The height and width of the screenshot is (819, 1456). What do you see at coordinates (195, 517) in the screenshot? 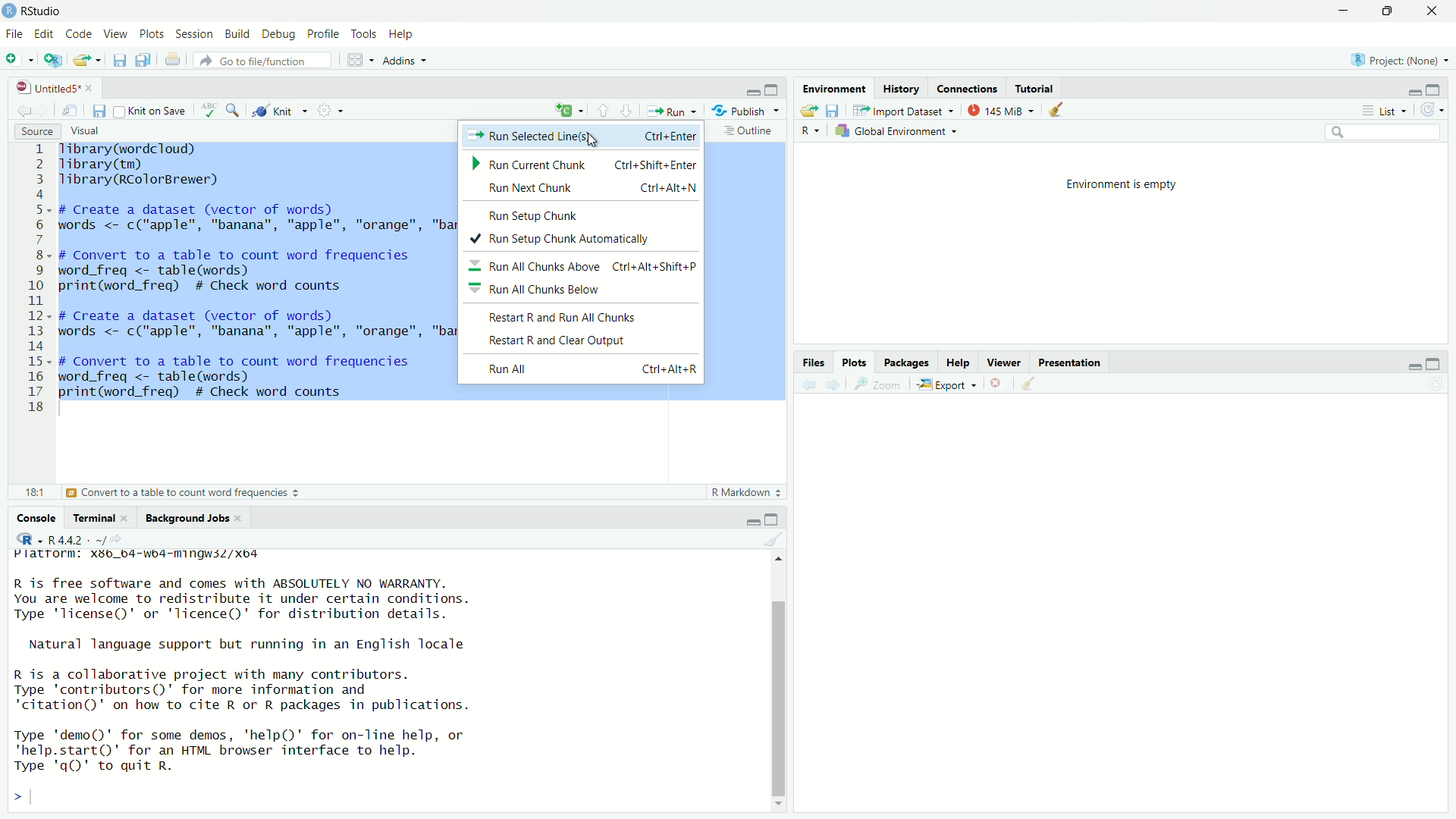
I see `Background Jobs` at bounding box center [195, 517].